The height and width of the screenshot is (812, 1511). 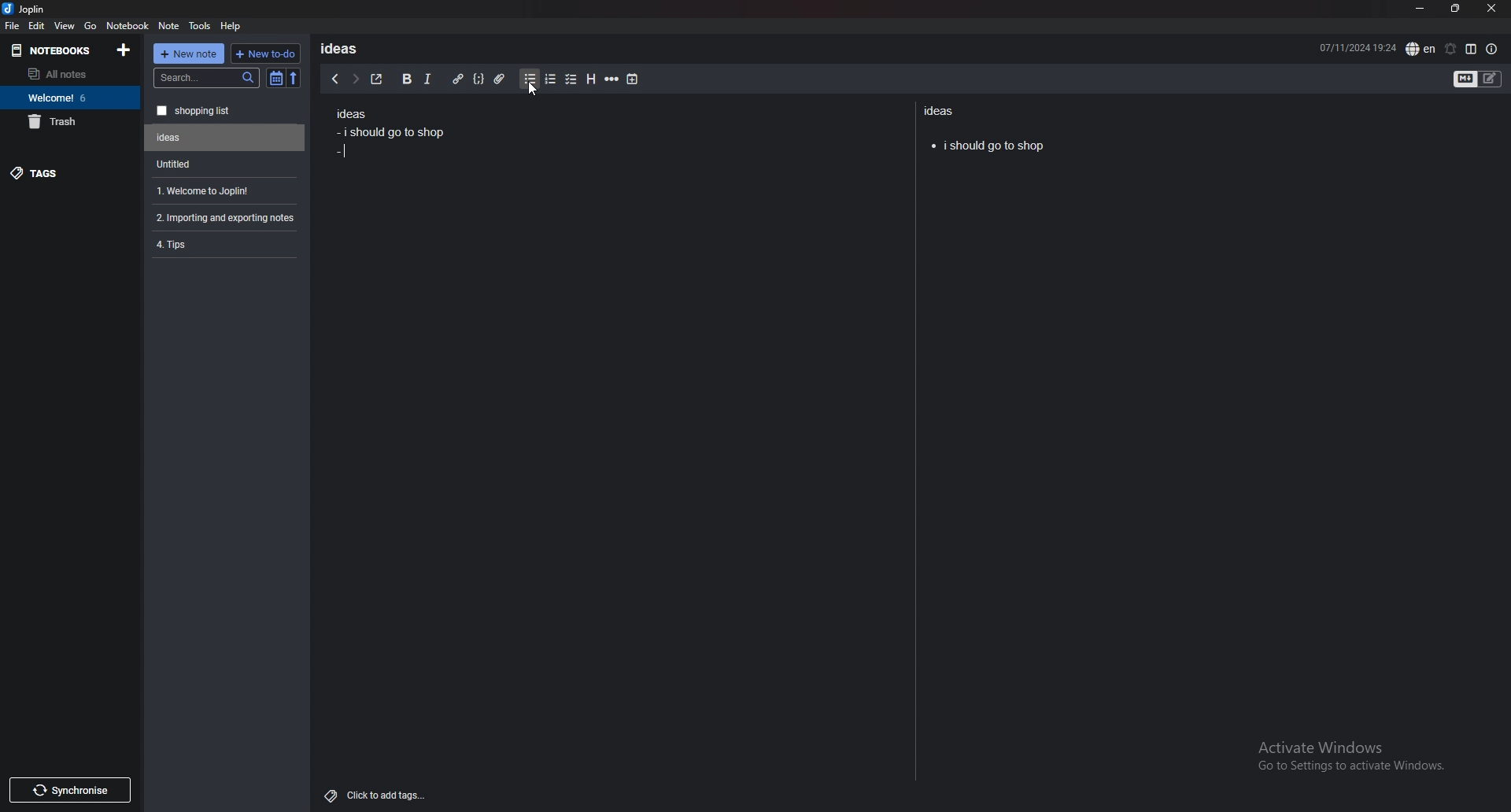 I want to click on note properties, so click(x=1492, y=50).